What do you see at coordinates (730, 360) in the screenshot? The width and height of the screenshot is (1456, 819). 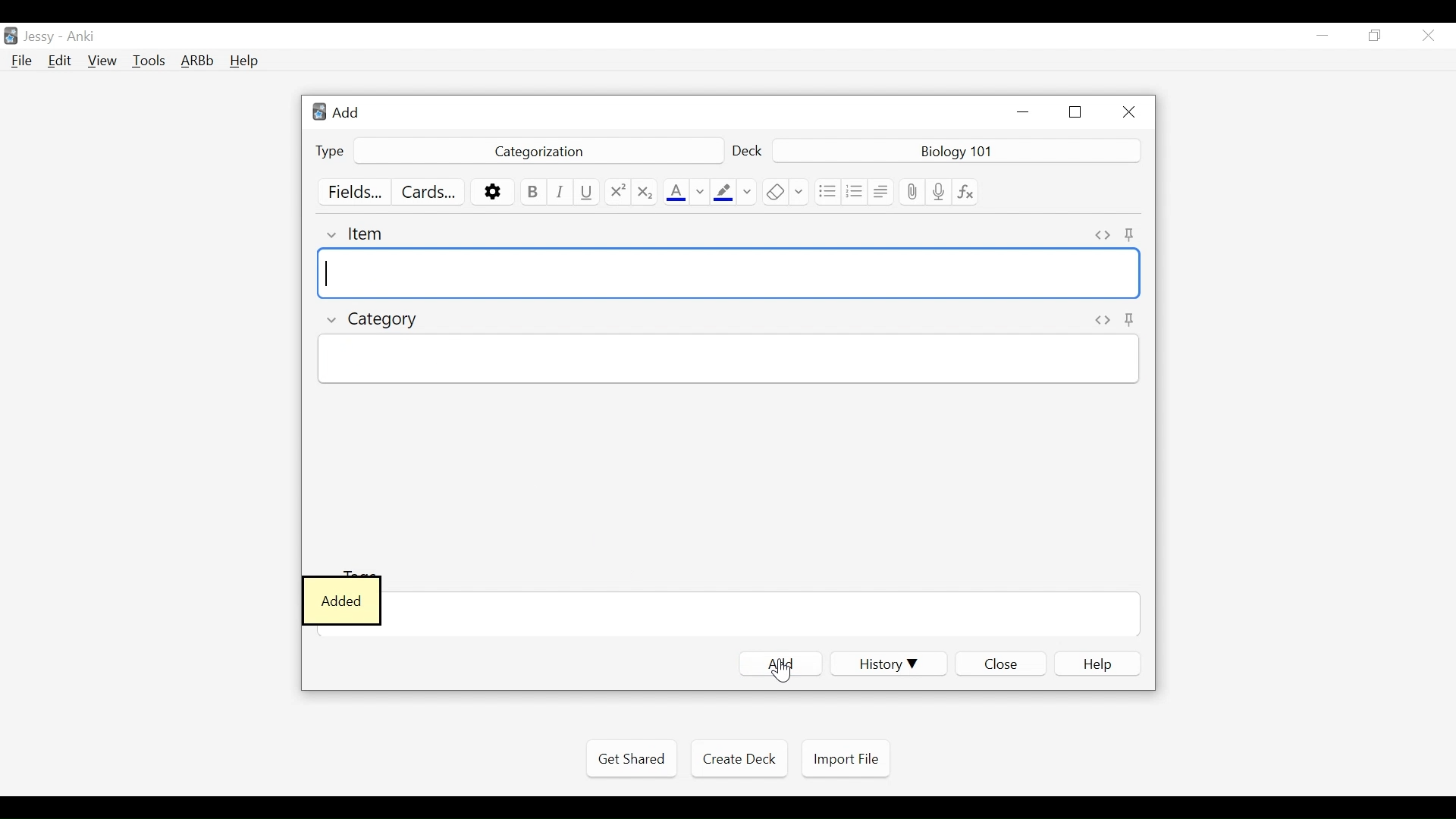 I see `Category Field` at bounding box center [730, 360].